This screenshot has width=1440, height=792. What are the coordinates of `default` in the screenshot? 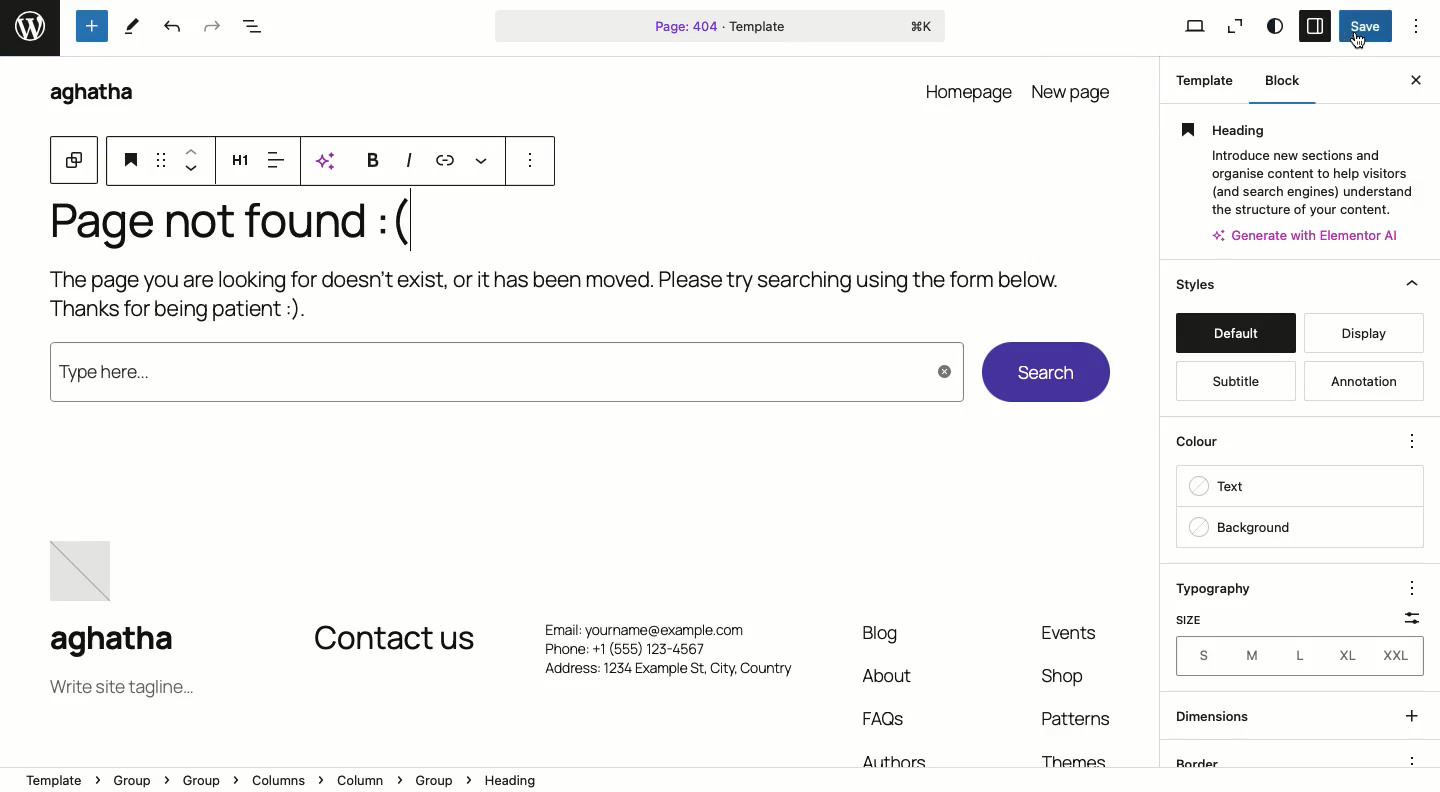 It's located at (1231, 330).